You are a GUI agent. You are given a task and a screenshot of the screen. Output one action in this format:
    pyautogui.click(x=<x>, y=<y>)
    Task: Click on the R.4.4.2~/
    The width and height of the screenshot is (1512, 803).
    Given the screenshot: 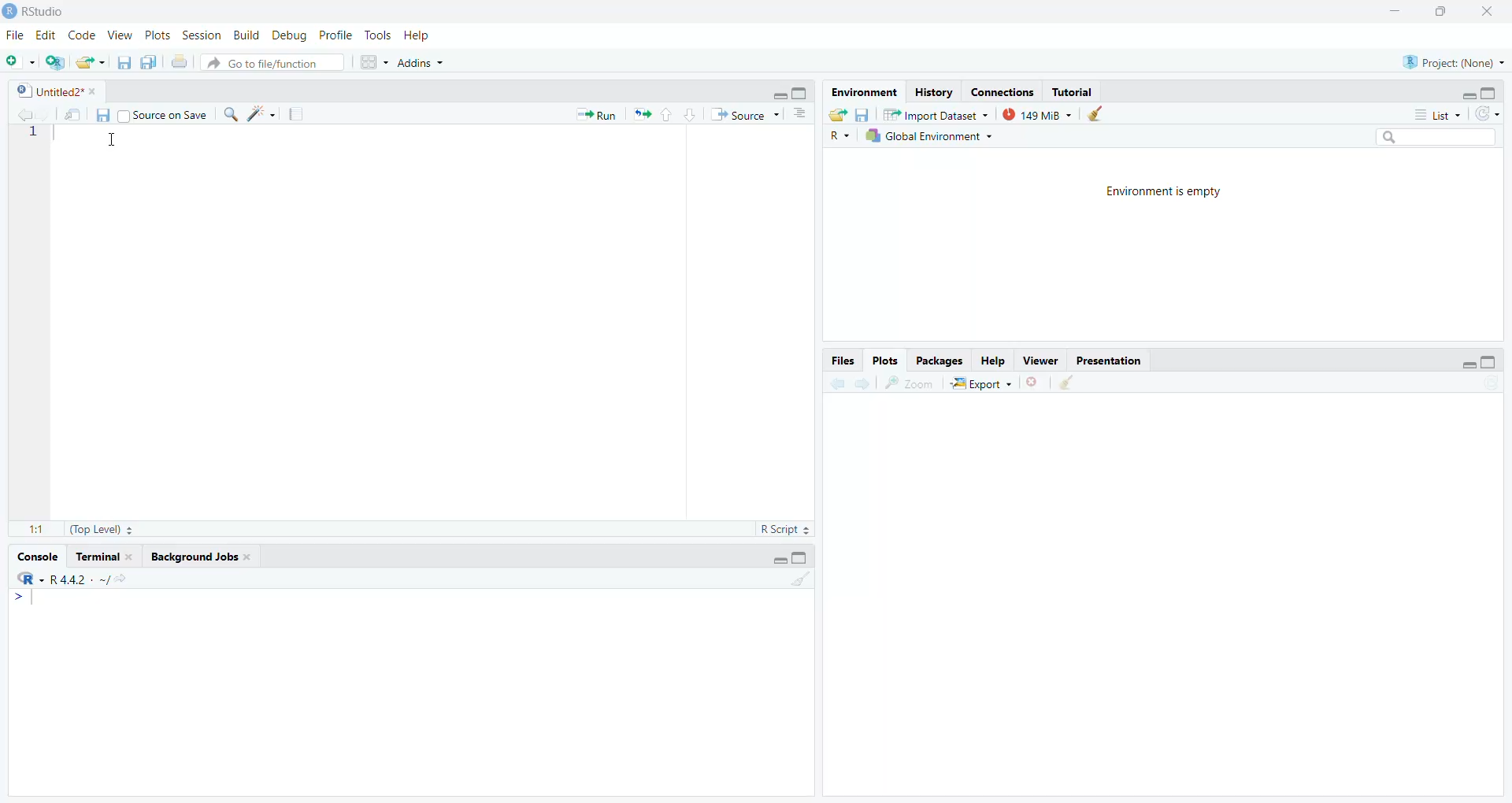 What is the action you would take?
    pyautogui.click(x=75, y=579)
    